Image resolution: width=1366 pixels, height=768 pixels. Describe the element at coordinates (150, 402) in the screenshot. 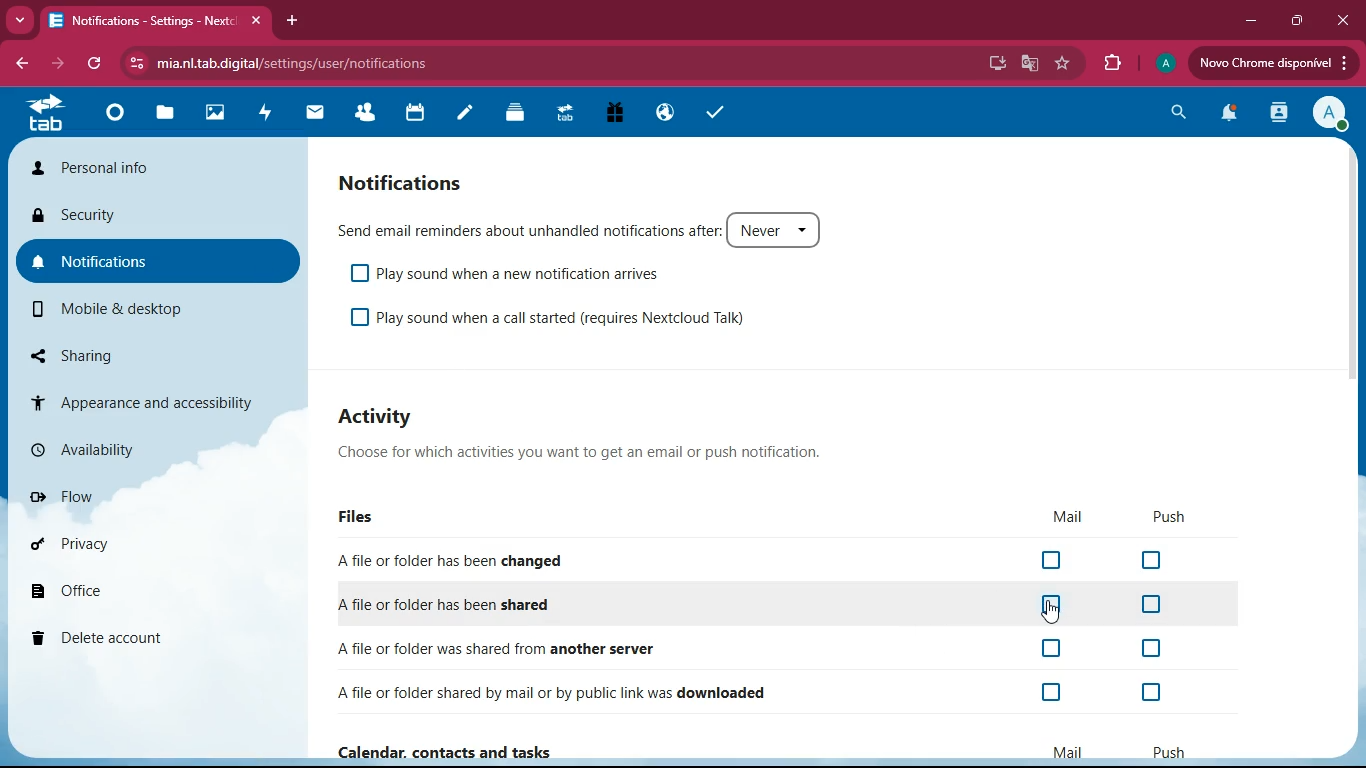

I see `appearance` at that location.